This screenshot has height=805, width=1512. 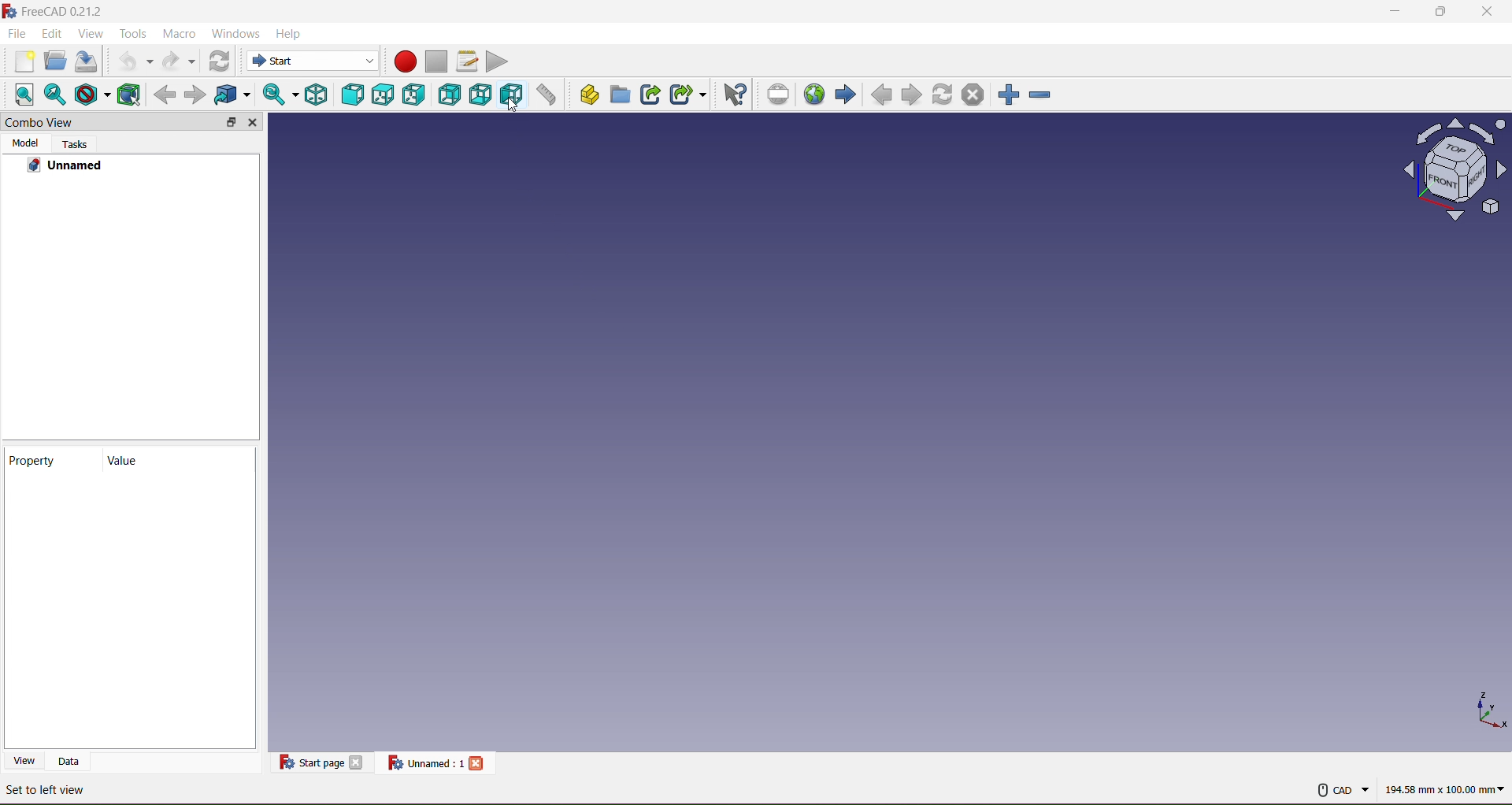 What do you see at coordinates (512, 95) in the screenshot?
I see `Left` at bounding box center [512, 95].